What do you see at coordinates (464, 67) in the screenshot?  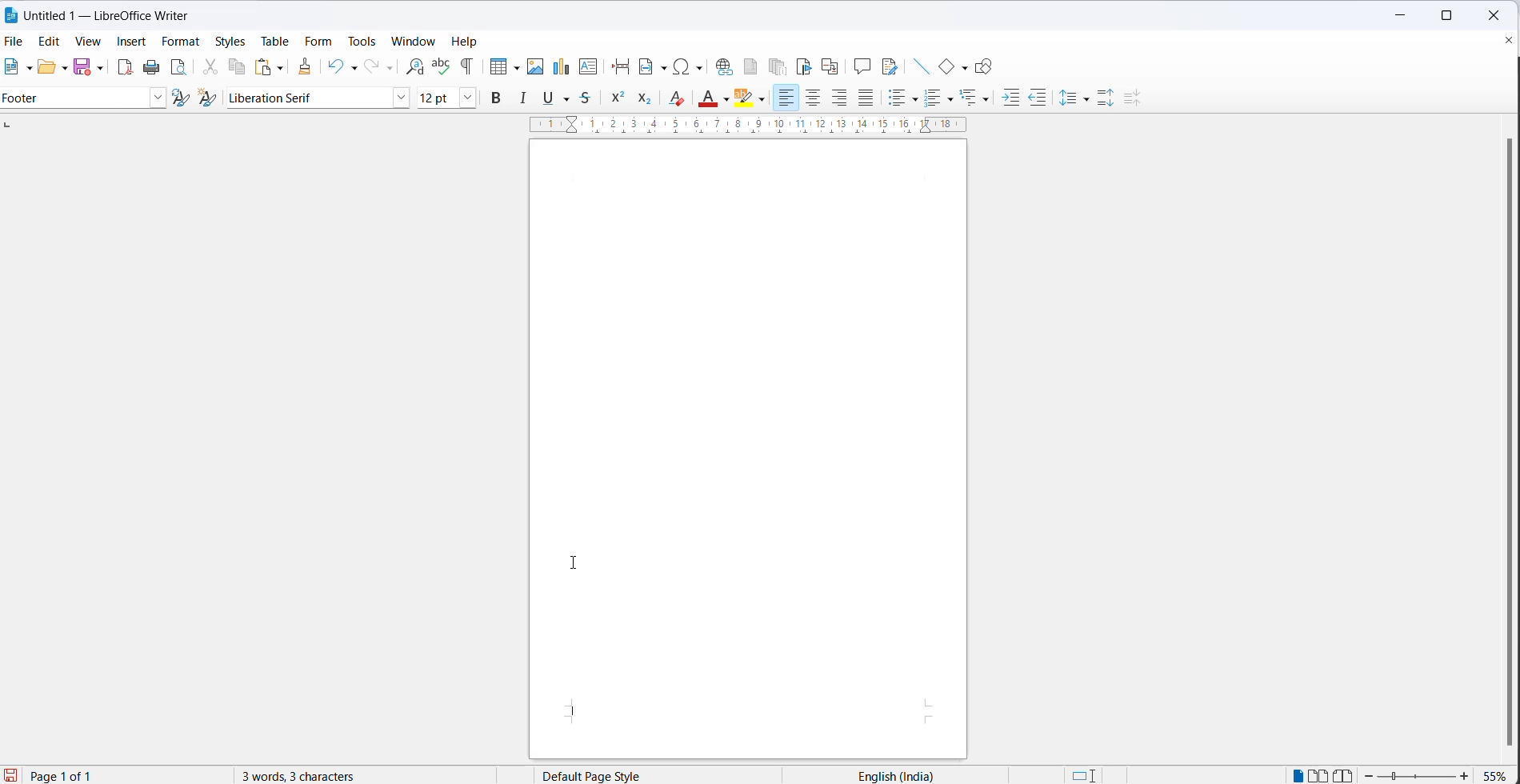 I see `toggle formatting marks` at bounding box center [464, 67].